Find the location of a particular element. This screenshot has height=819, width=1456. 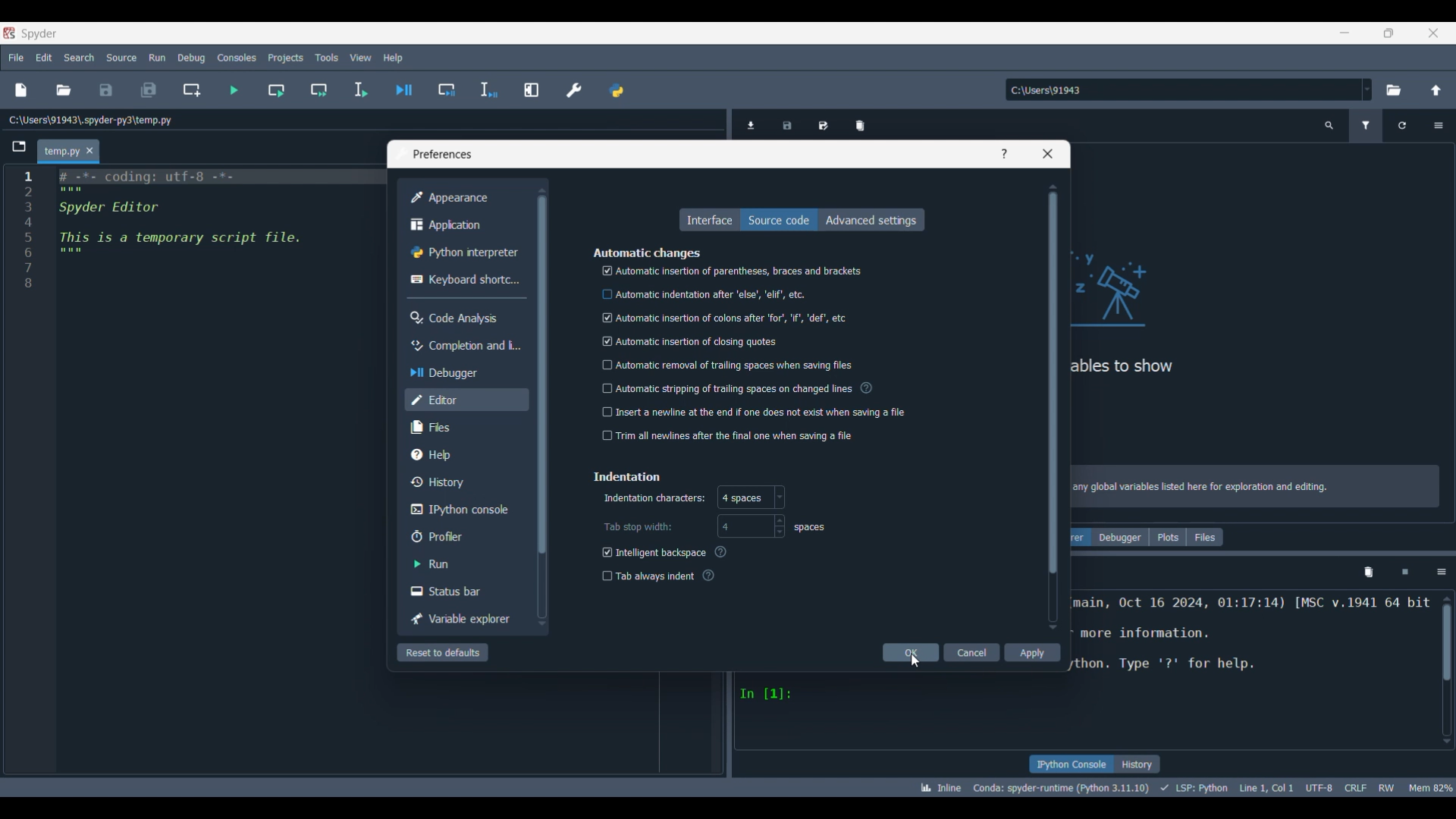

Appearance is located at coordinates (466, 197).